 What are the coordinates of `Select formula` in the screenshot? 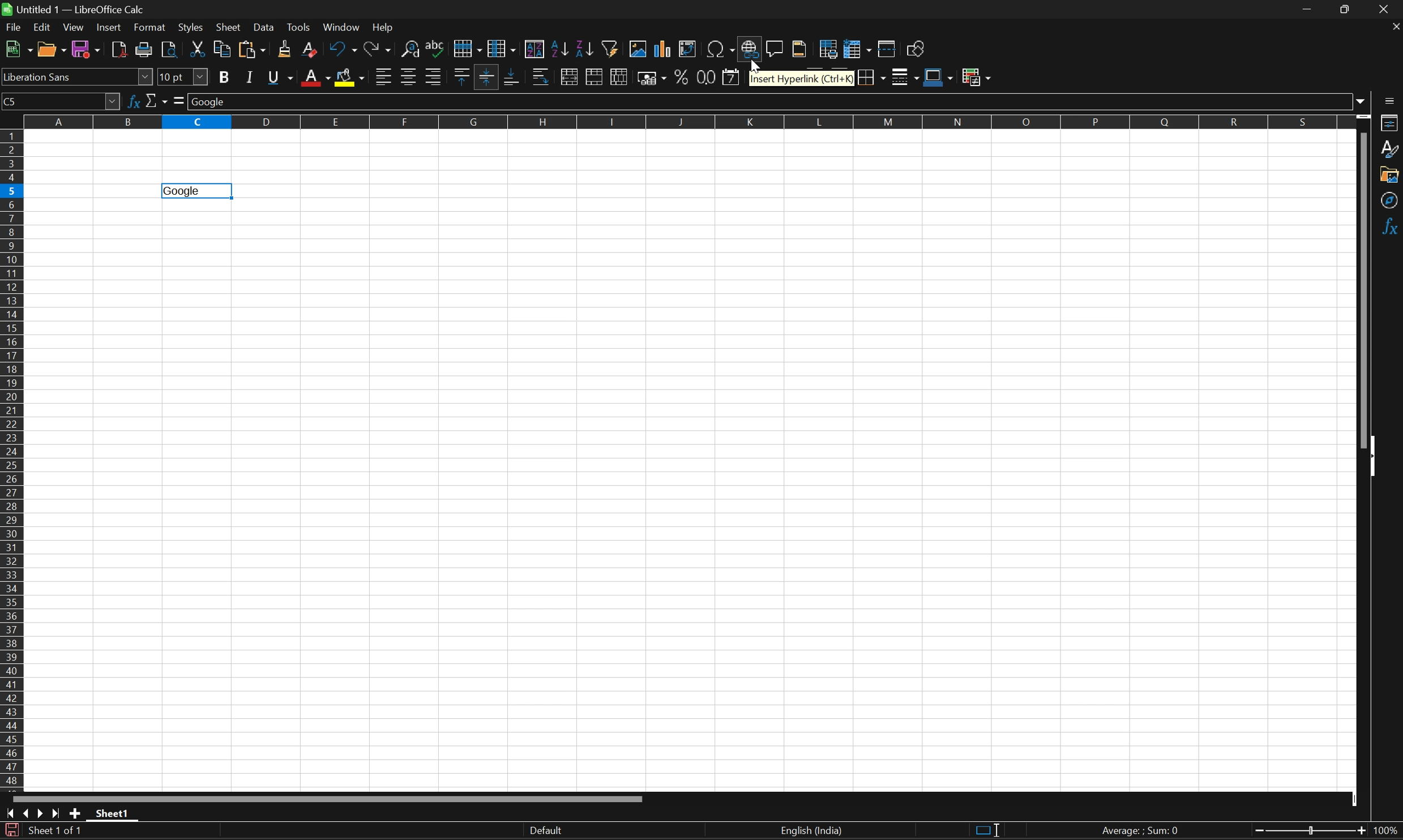 It's located at (179, 99).